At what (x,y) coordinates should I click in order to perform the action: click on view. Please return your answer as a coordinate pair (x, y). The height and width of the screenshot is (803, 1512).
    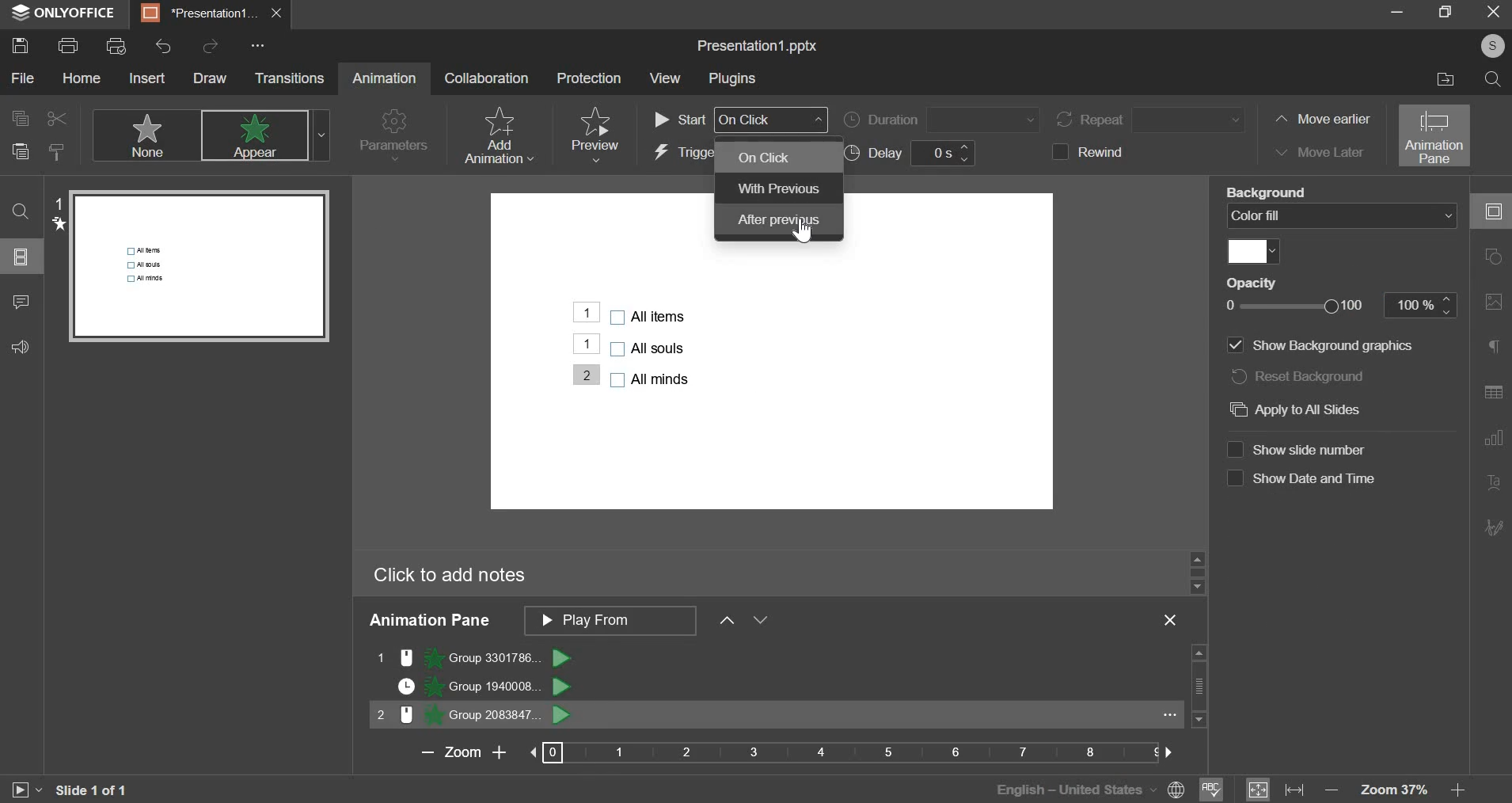
    Looking at the image, I should click on (666, 78).